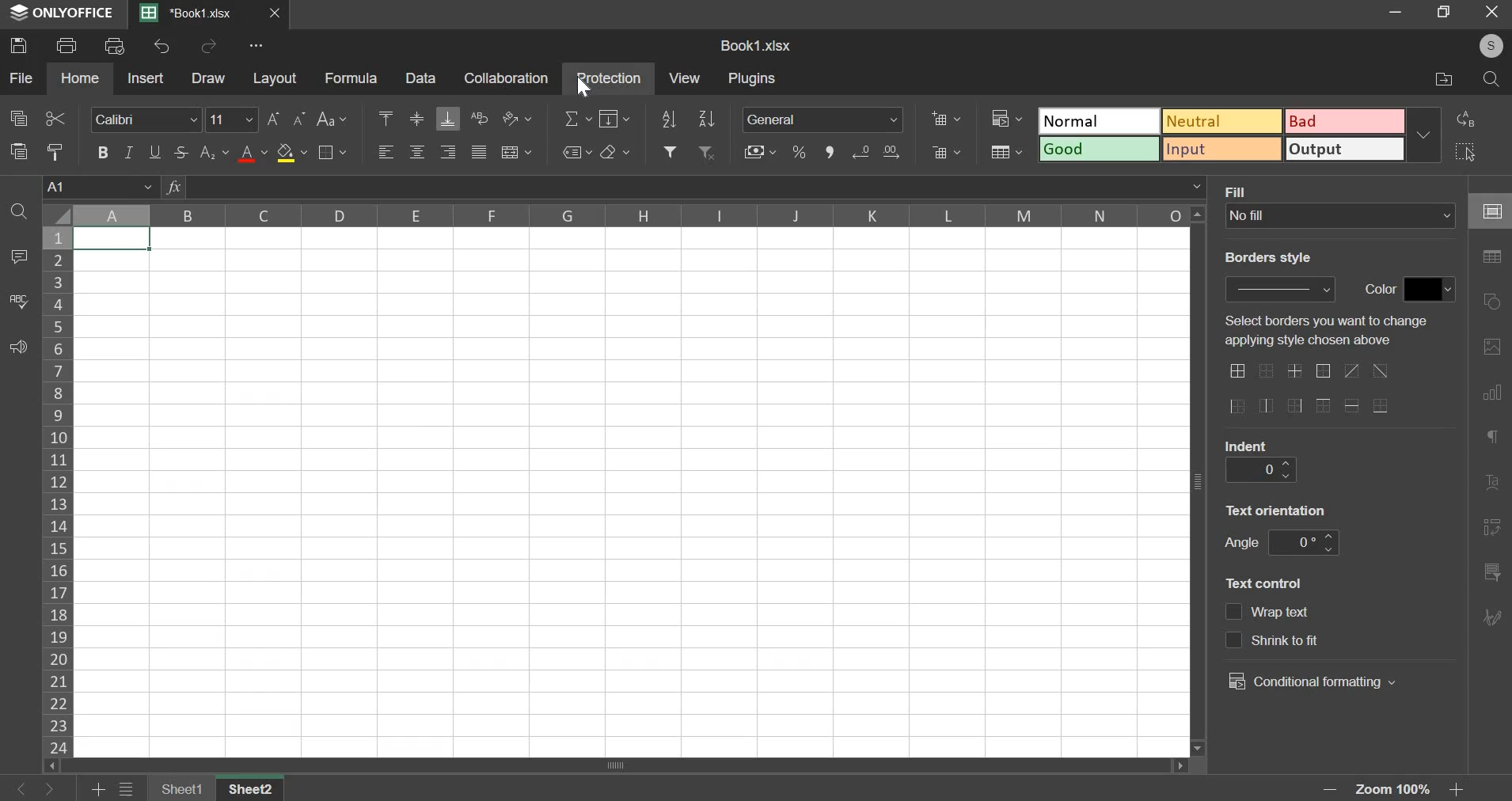 This screenshot has width=1512, height=801. What do you see at coordinates (1334, 332) in the screenshot?
I see `text` at bounding box center [1334, 332].